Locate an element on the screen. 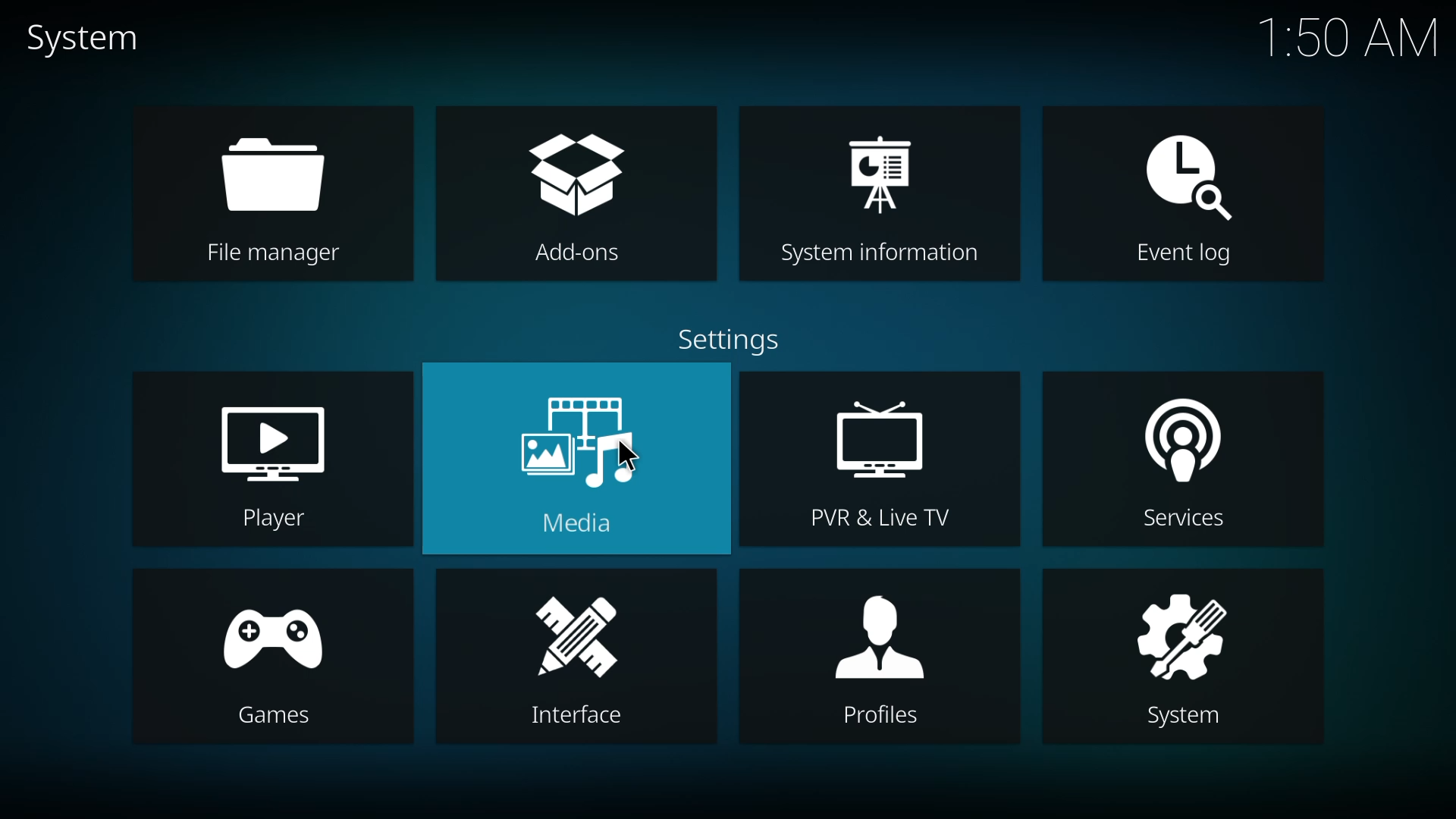 This screenshot has width=1456, height=819. cursor is located at coordinates (632, 456).